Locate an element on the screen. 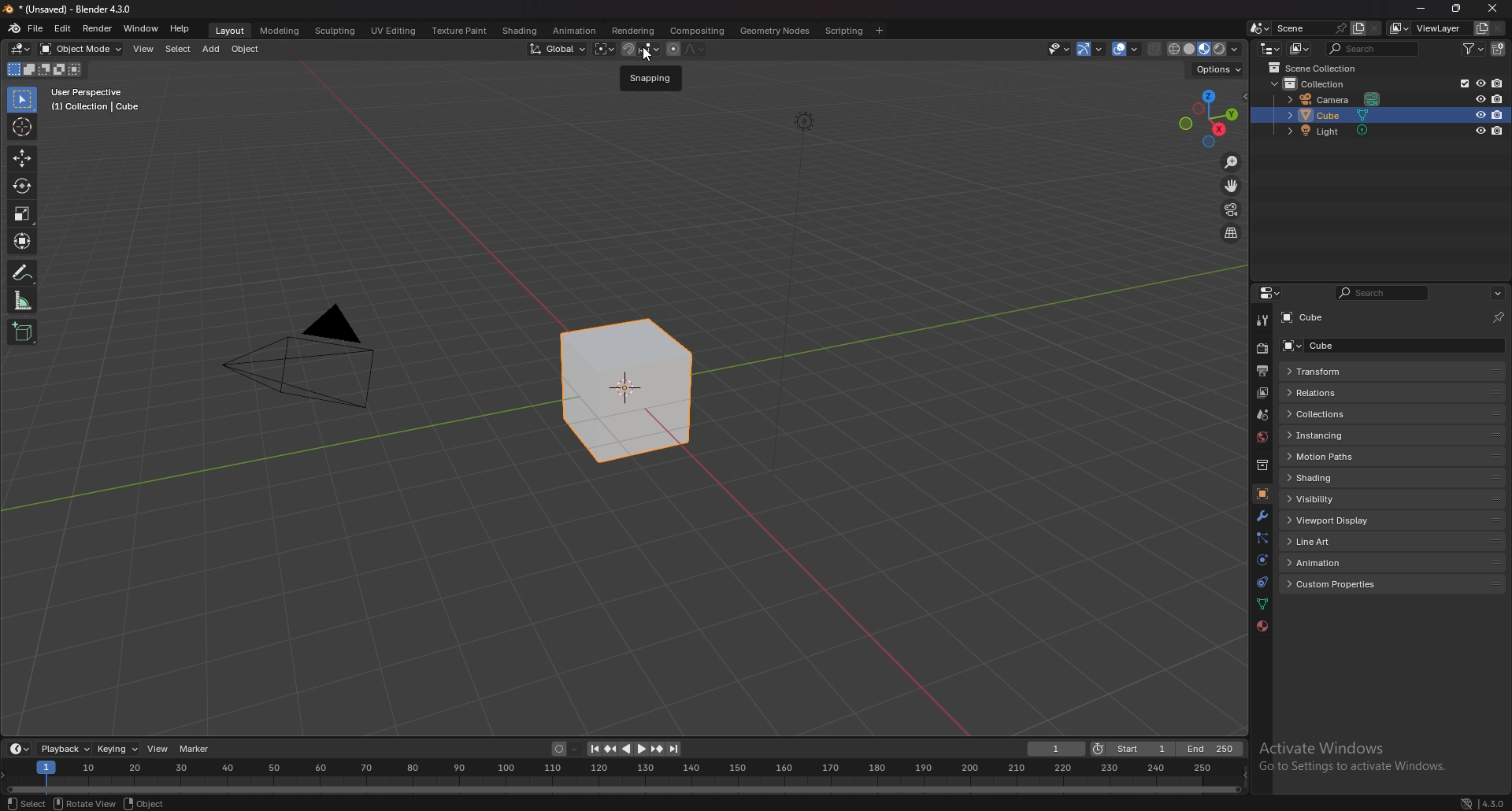 The height and width of the screenshot is (811, 1512). collection is located at coordinates (1262, 465).